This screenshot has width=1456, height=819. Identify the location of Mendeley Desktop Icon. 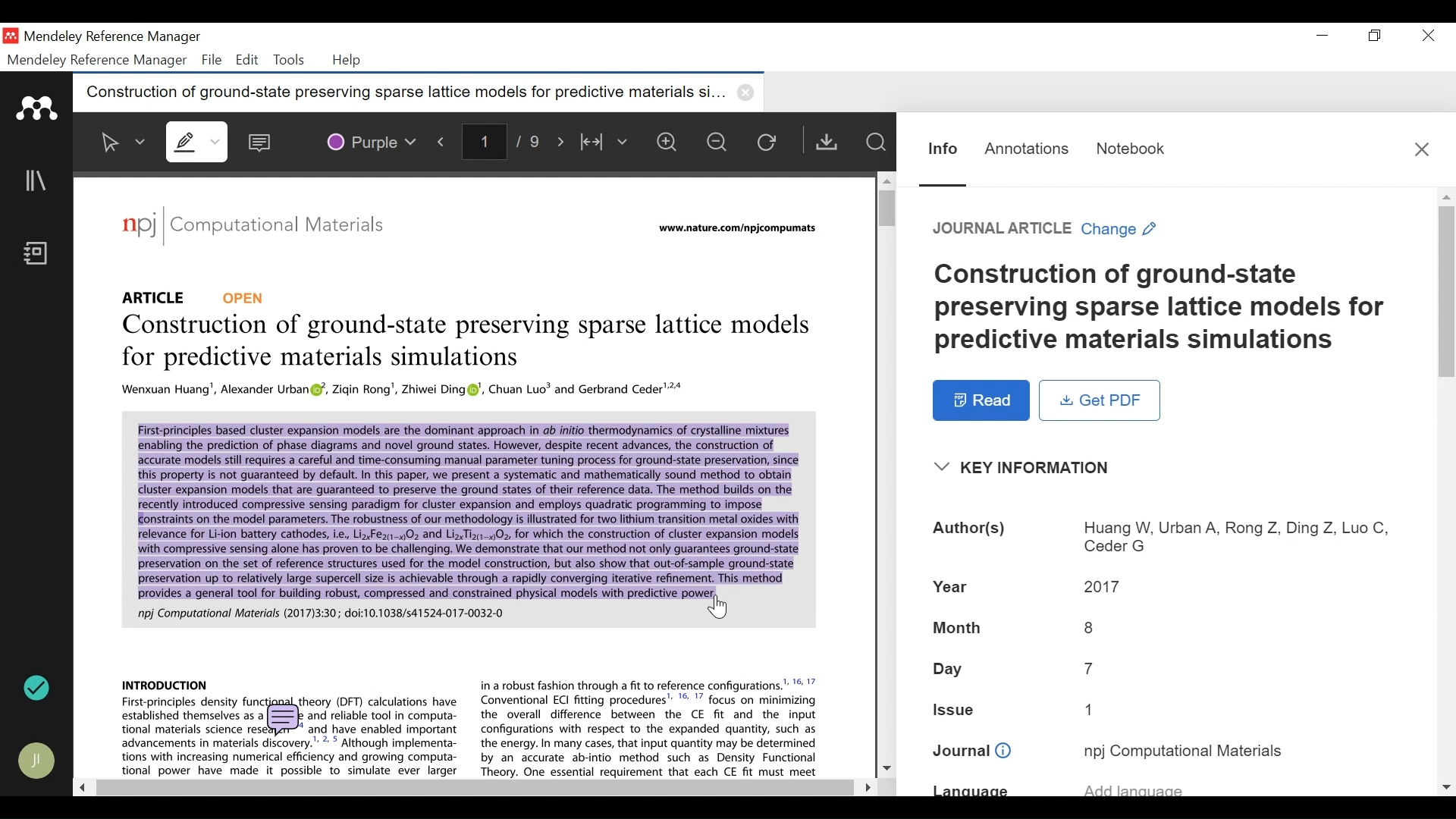
(12, 36).